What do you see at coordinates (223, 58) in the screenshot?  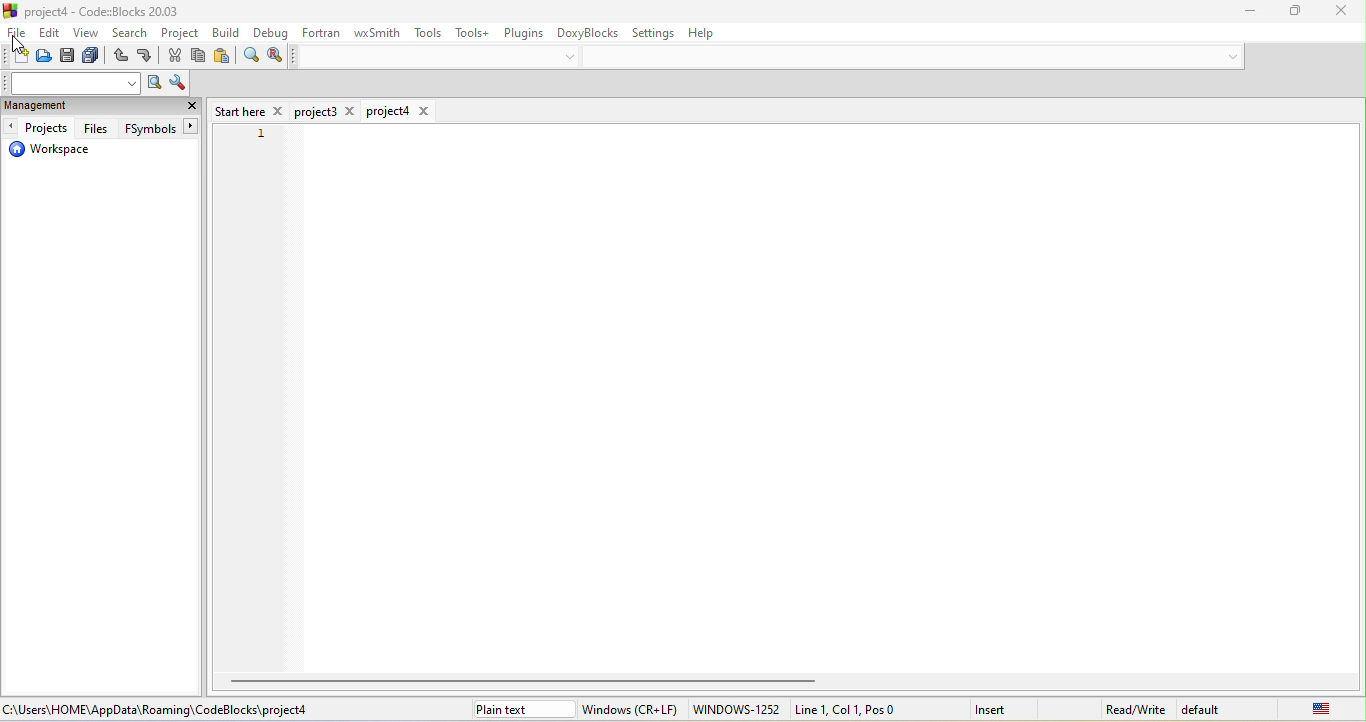 I see `paste` at bounding box center [223, 58].